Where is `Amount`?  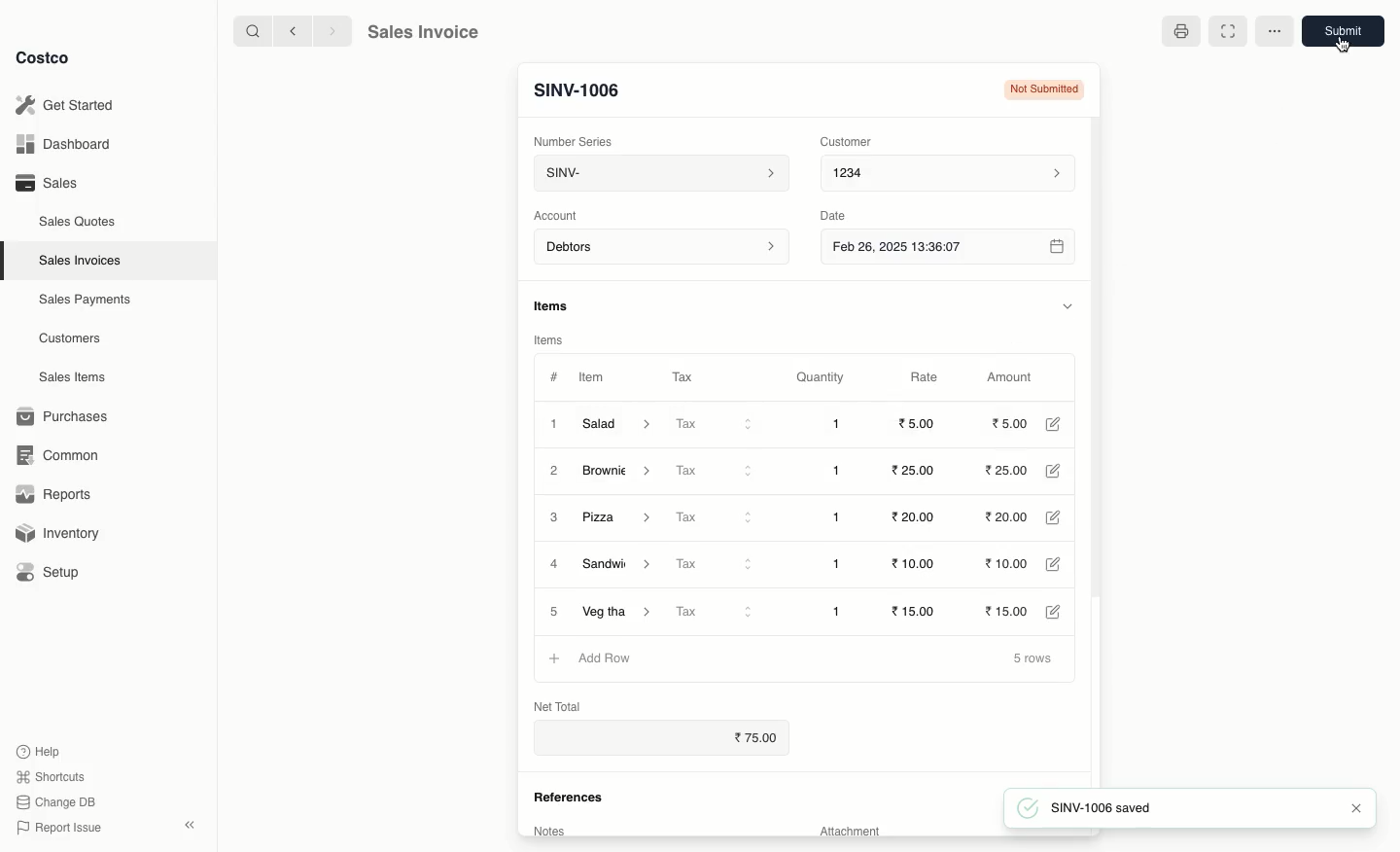 Amount is located at coordinates (1015, 377).